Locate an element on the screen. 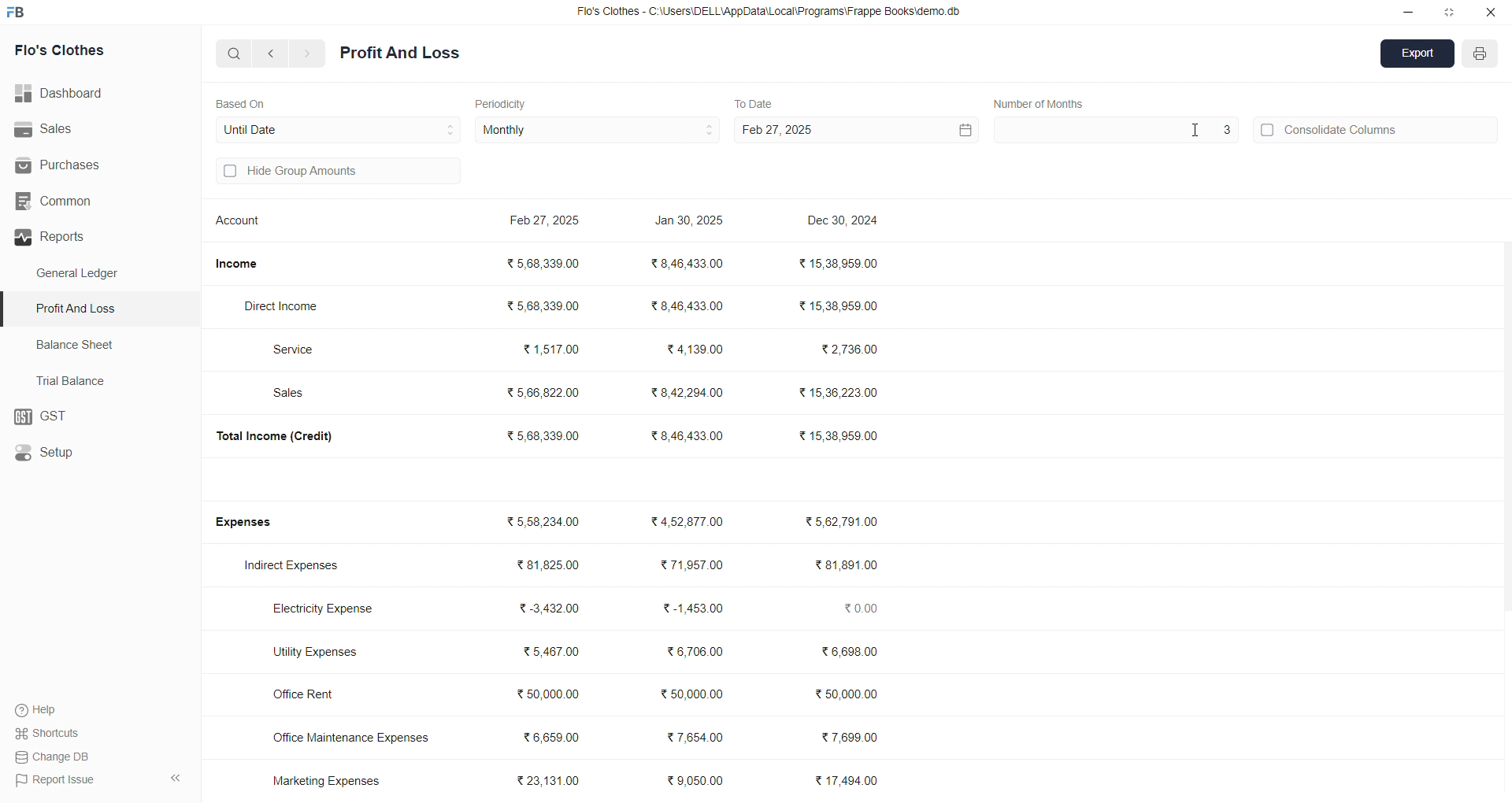 The height and width of the screenshot is (803, 1512). Feb 27, 2025 is located at coordinates (547, 222).